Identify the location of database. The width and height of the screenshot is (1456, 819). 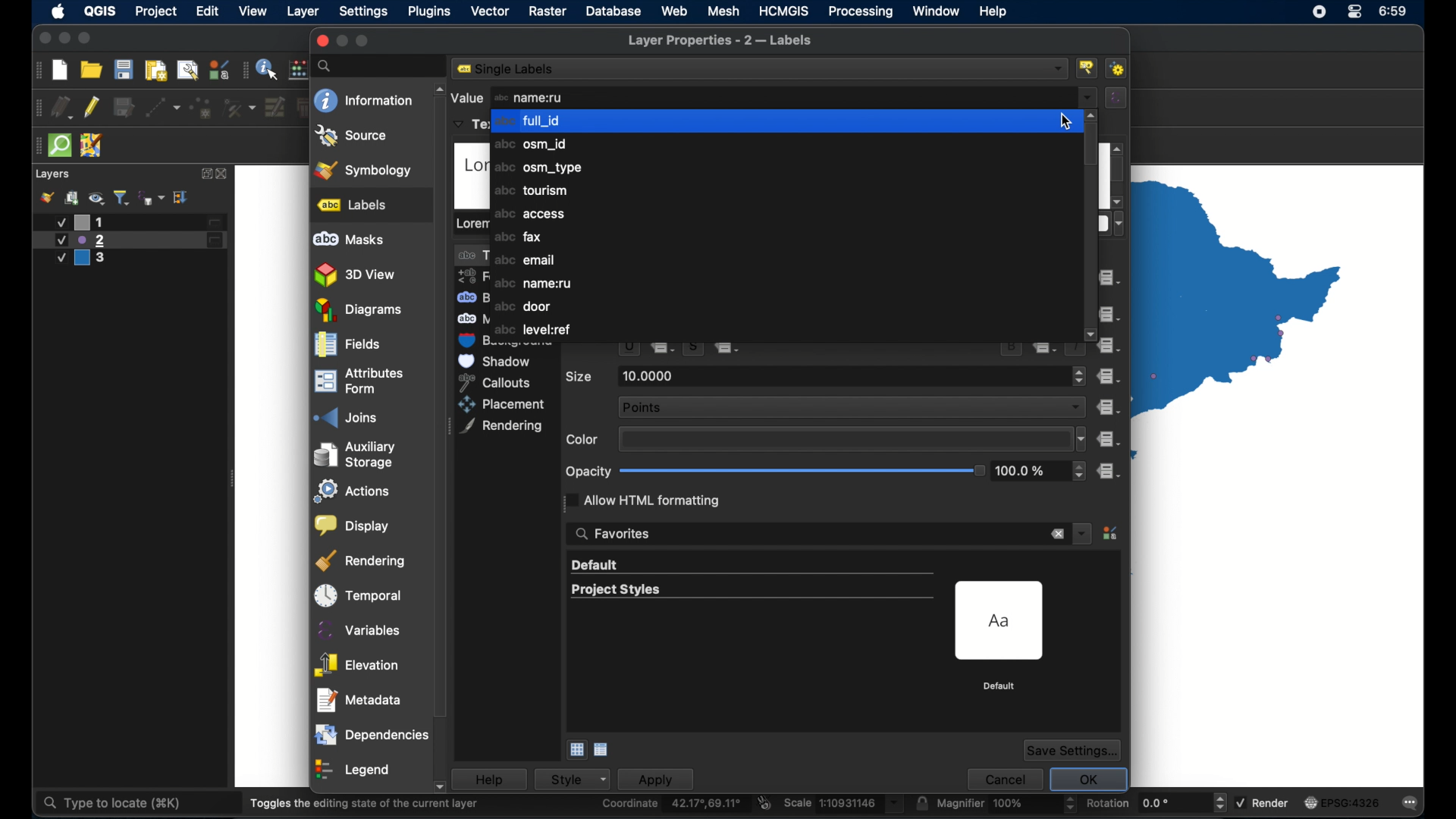
(613, 11).